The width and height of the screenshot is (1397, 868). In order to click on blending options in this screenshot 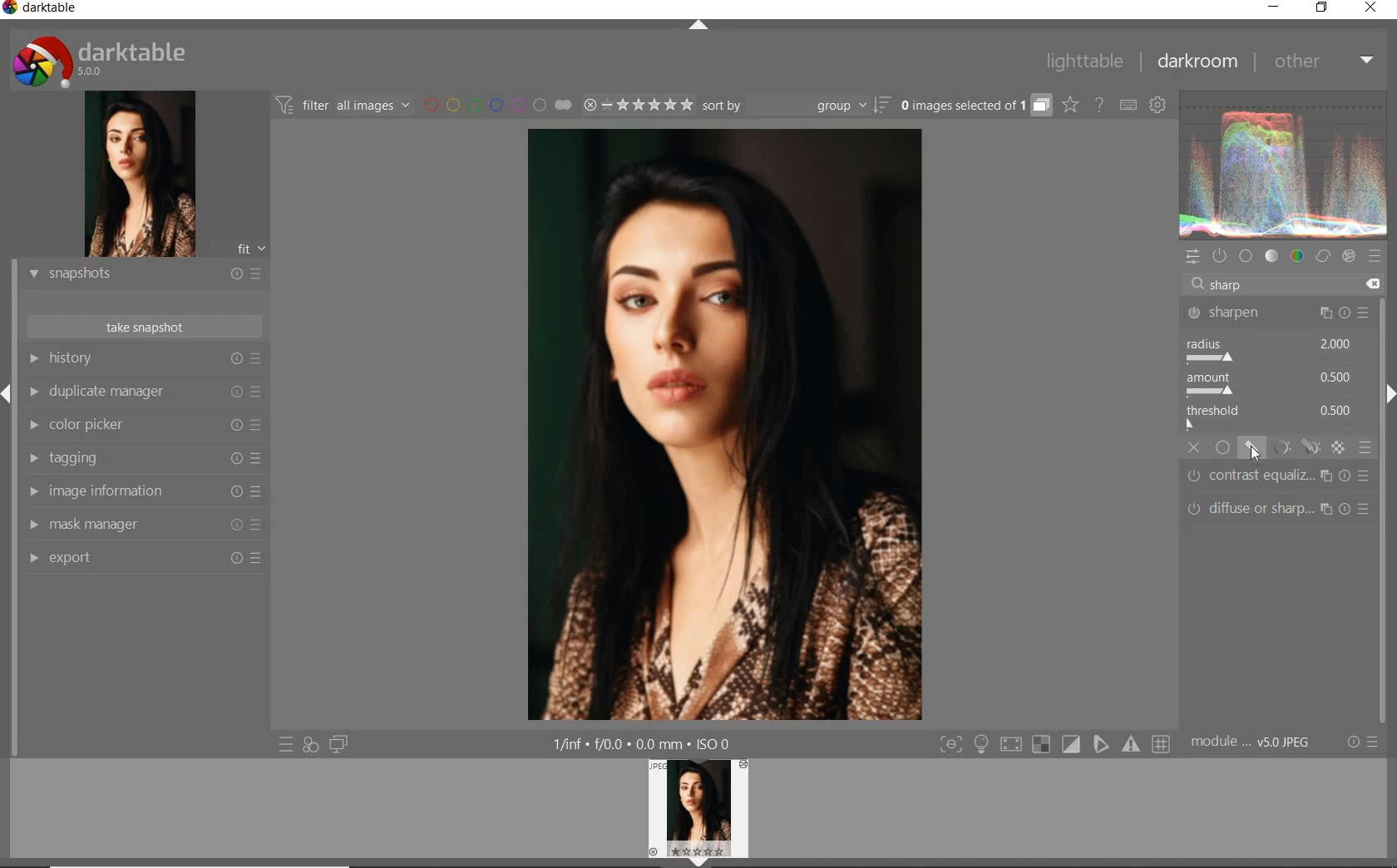, I will do `click(1366, 449)`.